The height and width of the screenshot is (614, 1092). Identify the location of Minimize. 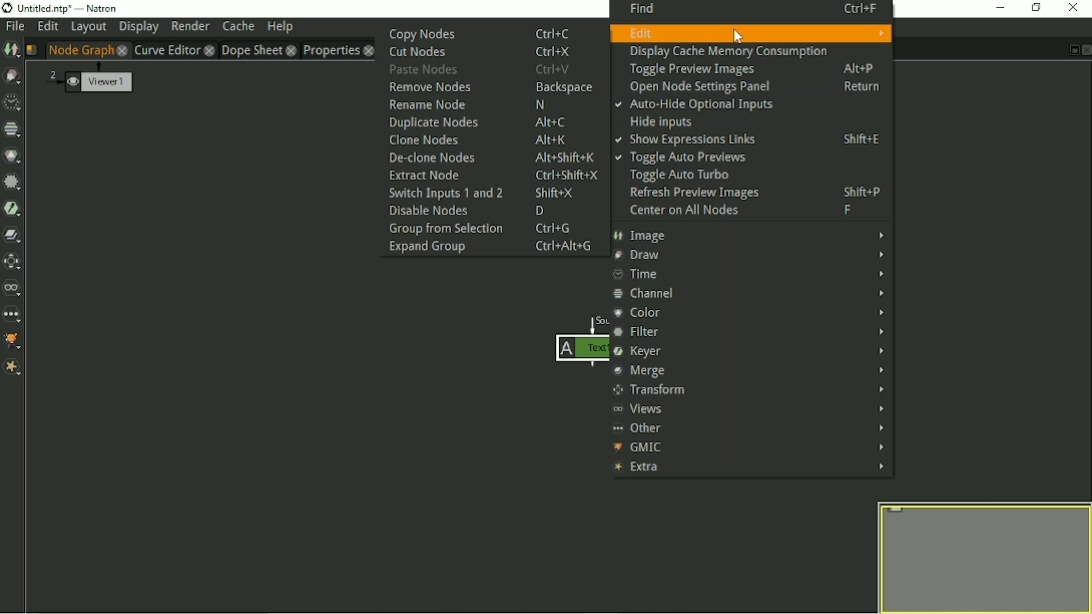
(998, 7).